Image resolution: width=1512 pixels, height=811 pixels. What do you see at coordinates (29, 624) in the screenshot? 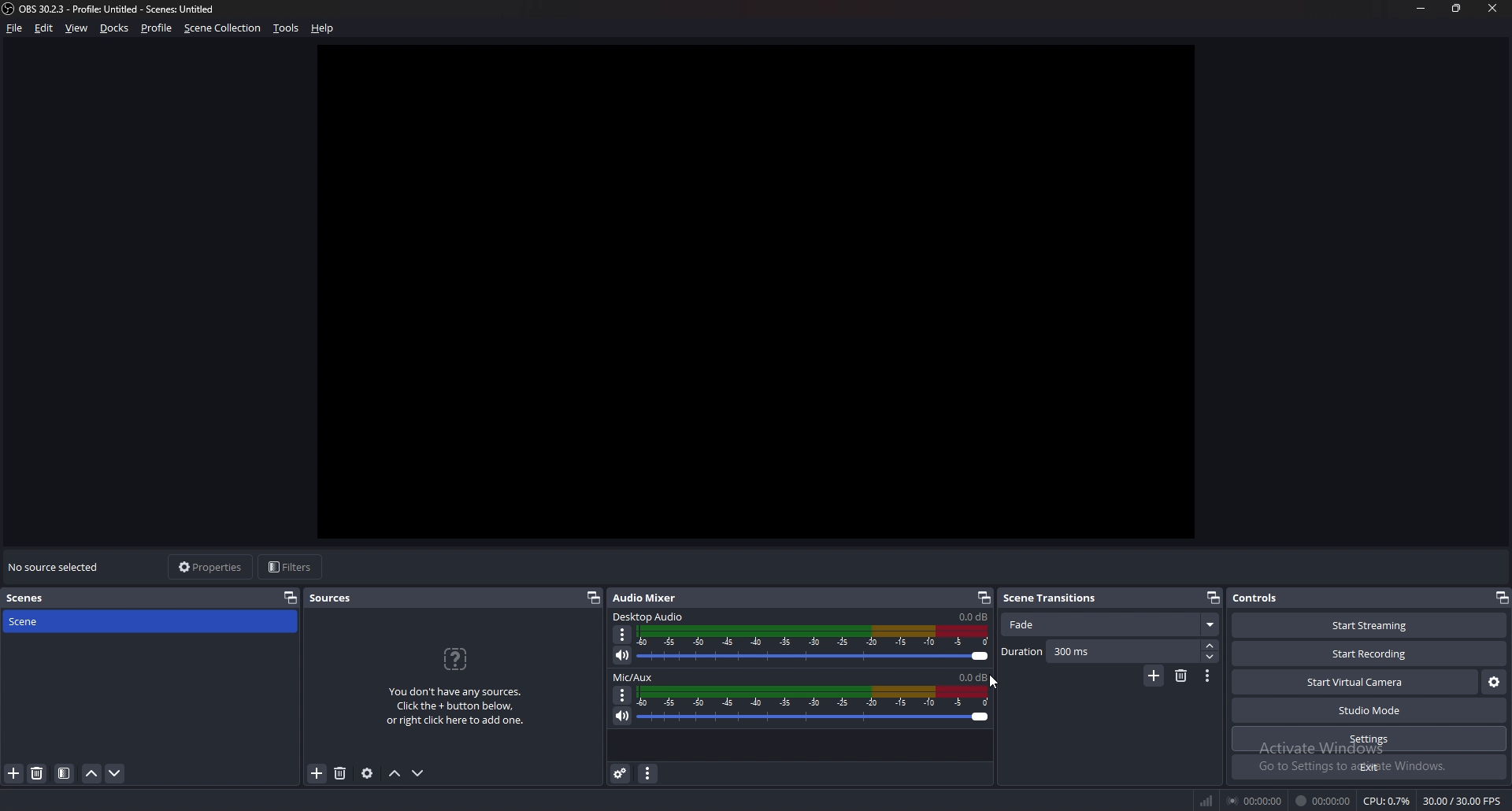
I see `scene` at bounding box center [29, 624].